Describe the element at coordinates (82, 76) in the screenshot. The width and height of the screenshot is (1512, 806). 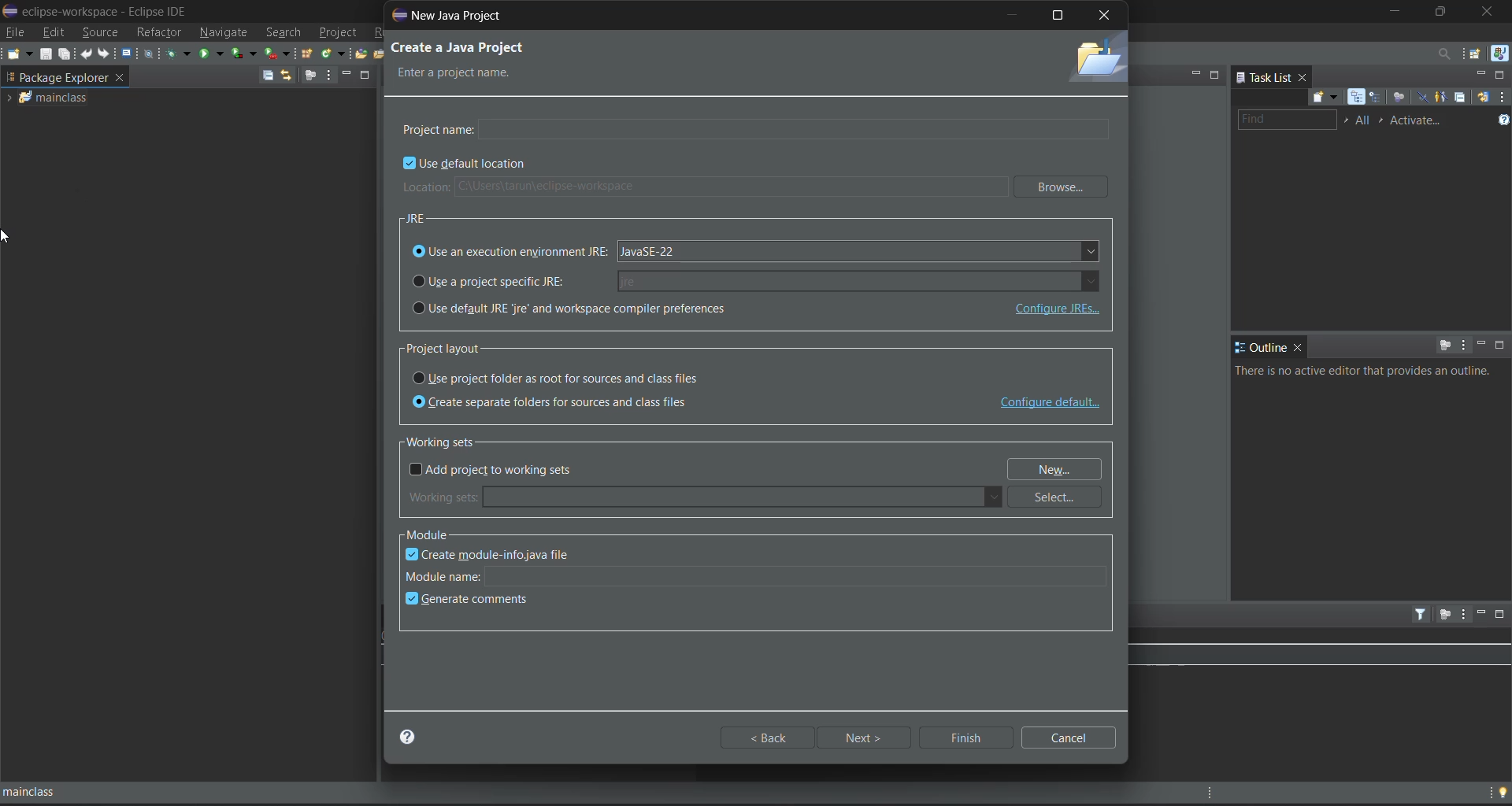
I see `package explorer` at that location.